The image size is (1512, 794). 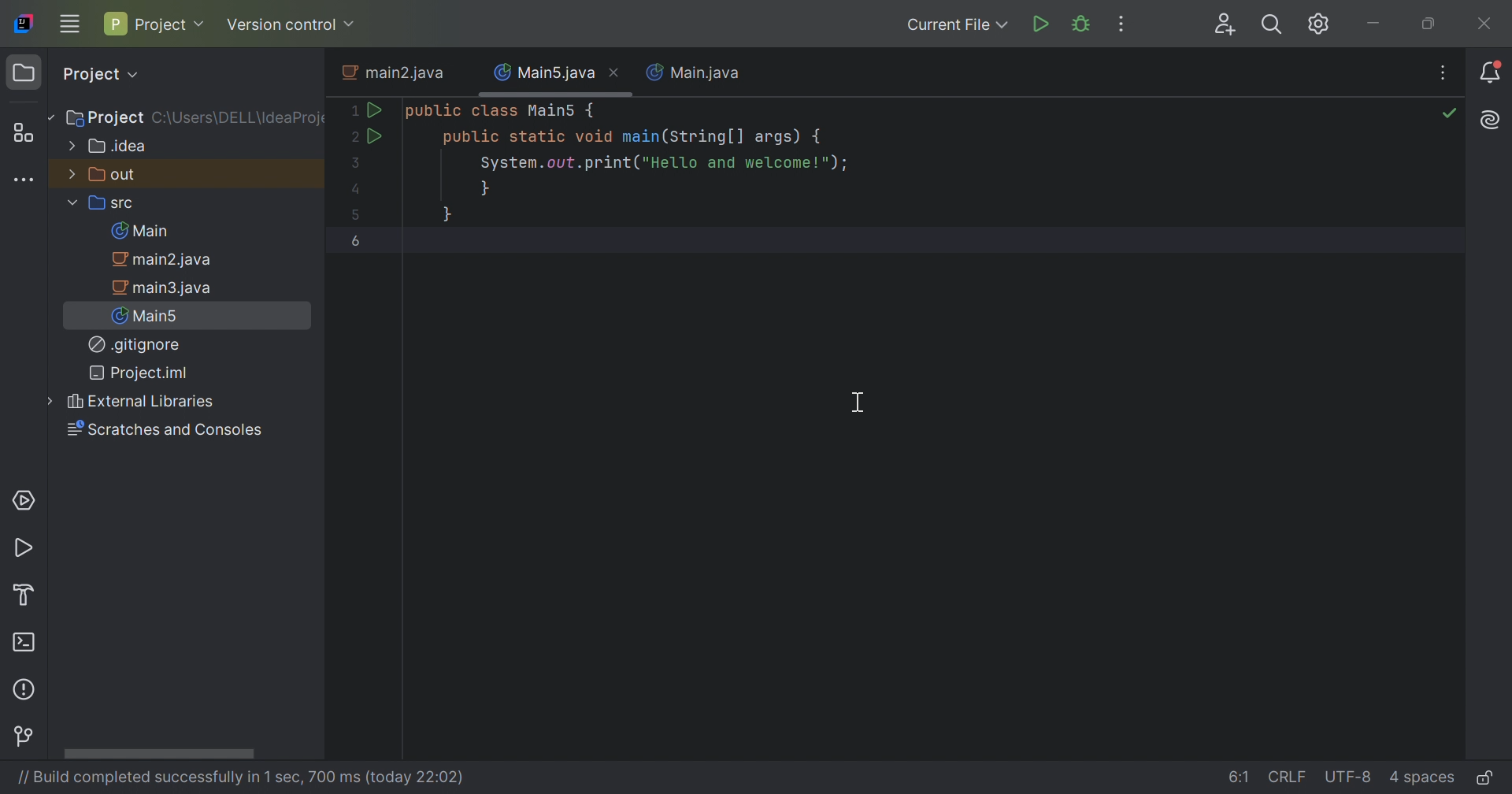 What do you see at coordinates (291, 26) in the screenshot?
I see `Version control` at bounding box center [291, 26].